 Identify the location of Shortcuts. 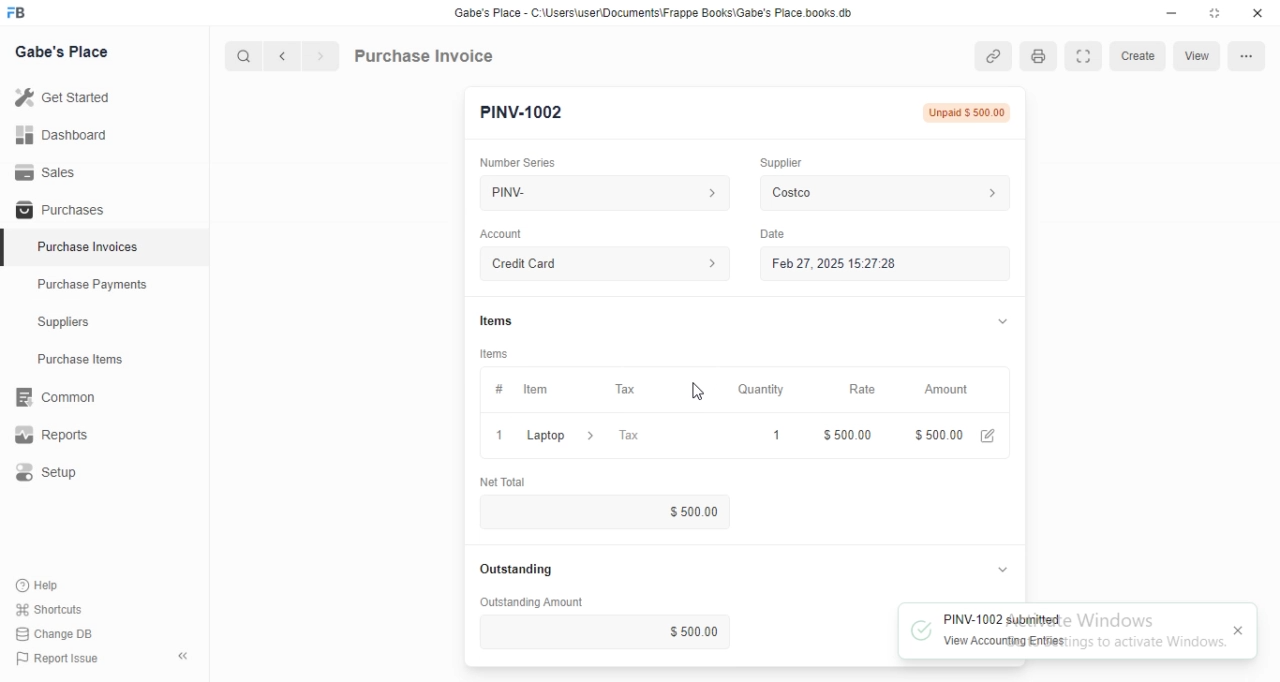
(50, 609).